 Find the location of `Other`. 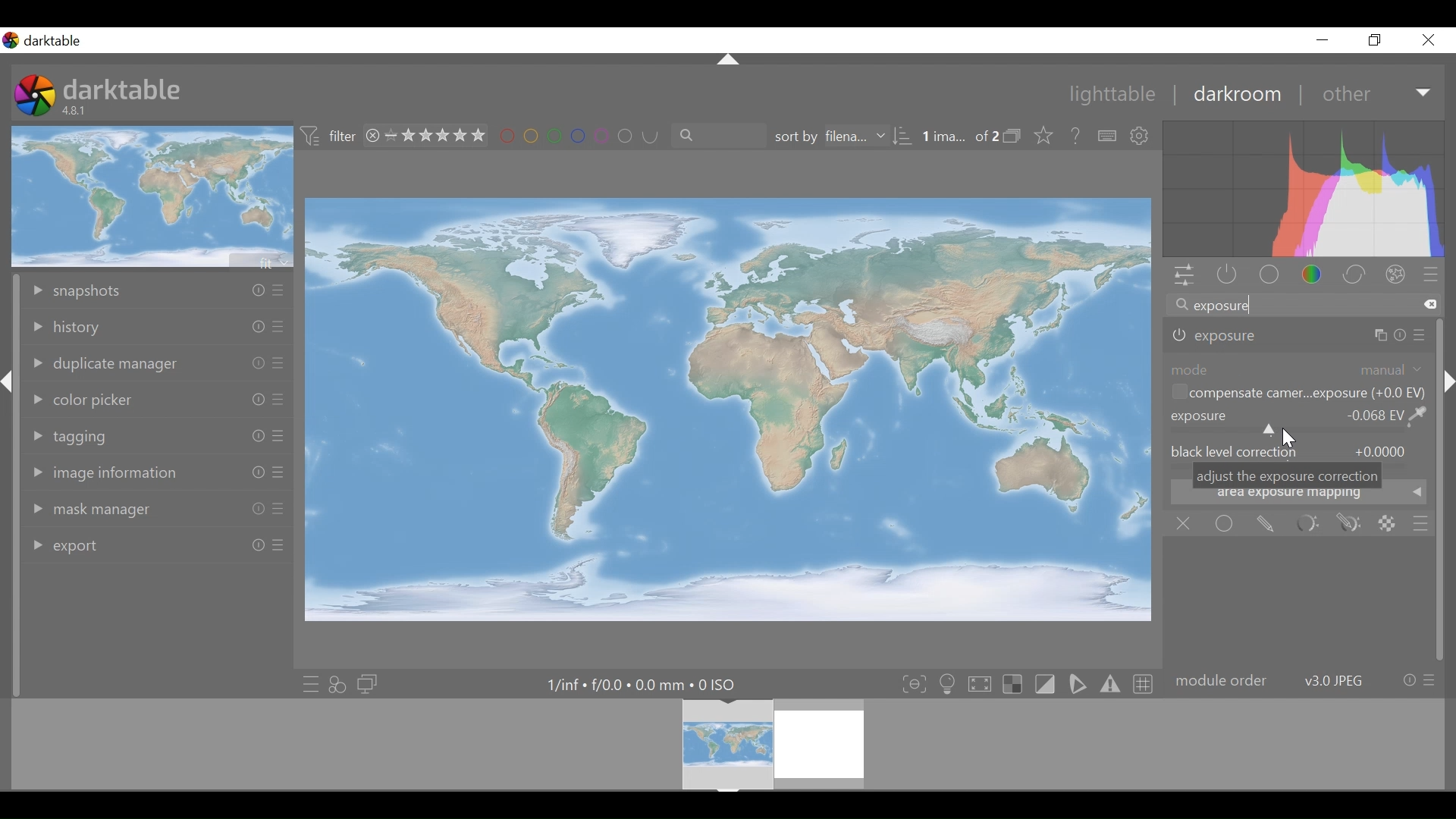

Other is located at coordinates (1376, 92).